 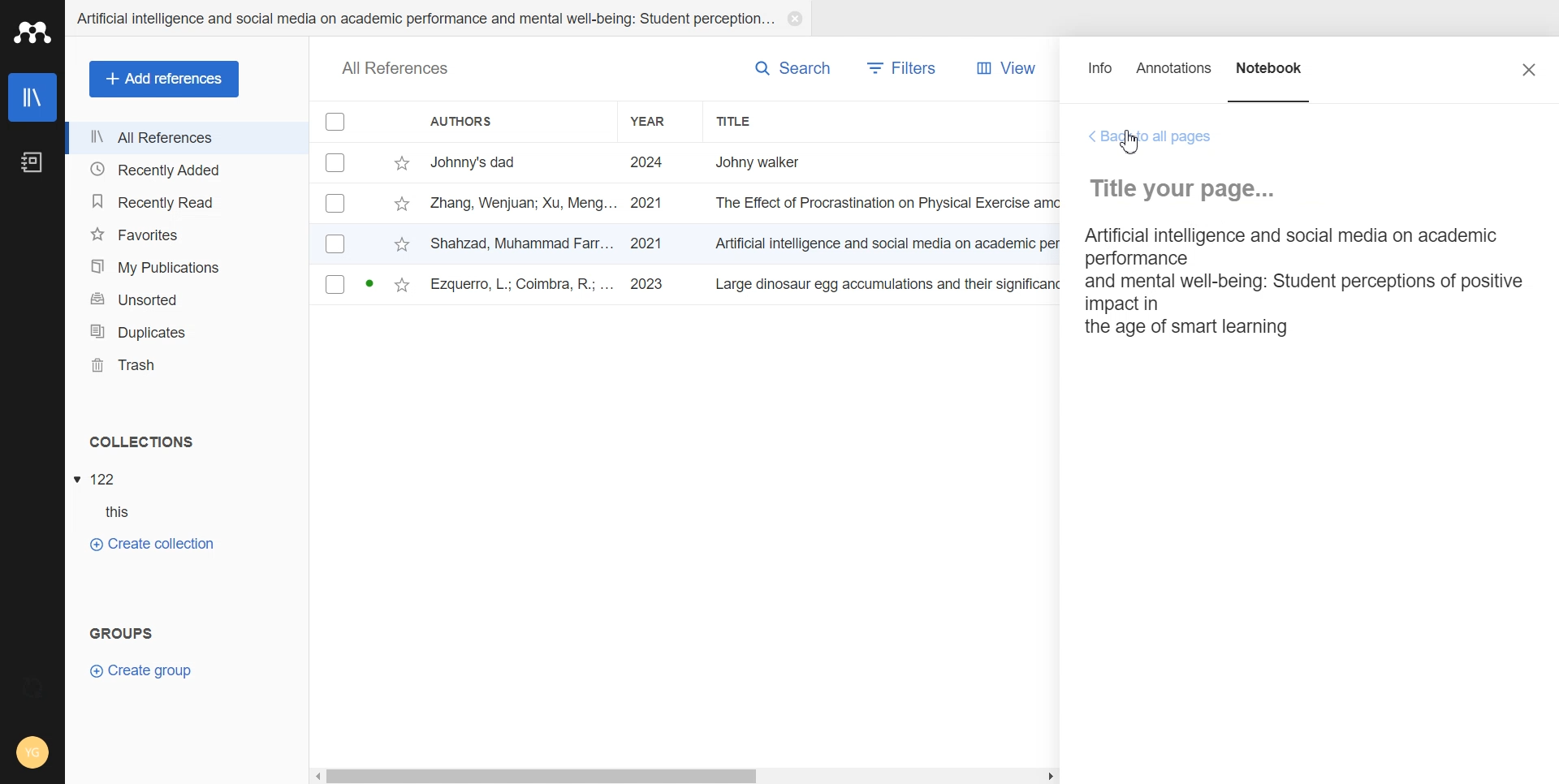 What do you see at coordinates (903, 68) in the screenshot?
I see `Filters` at bounding box center [903, 68].